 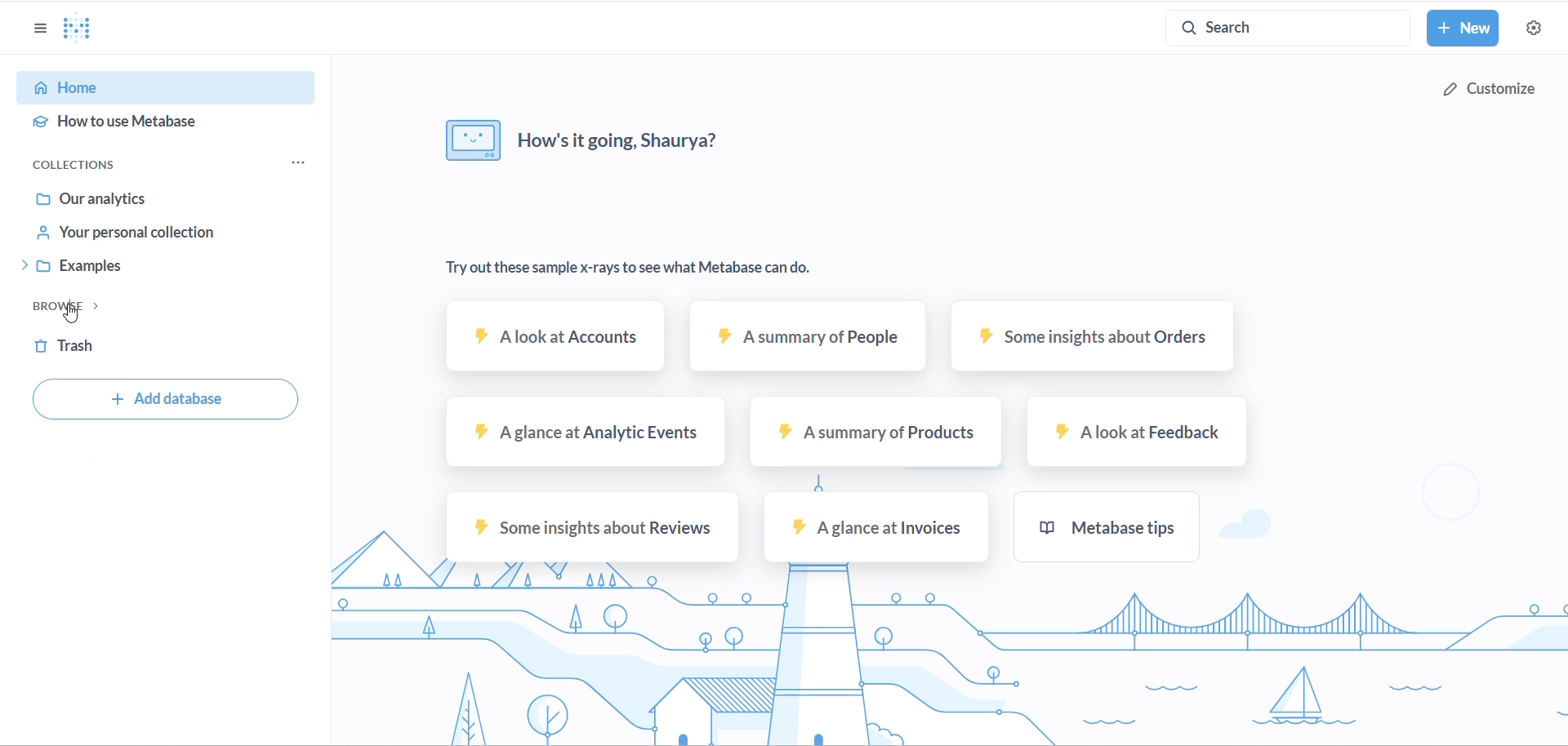 What do you see at coordinates (298, 162) in the screenshot?
I see `collections menu` at bounding box center [298, 162].